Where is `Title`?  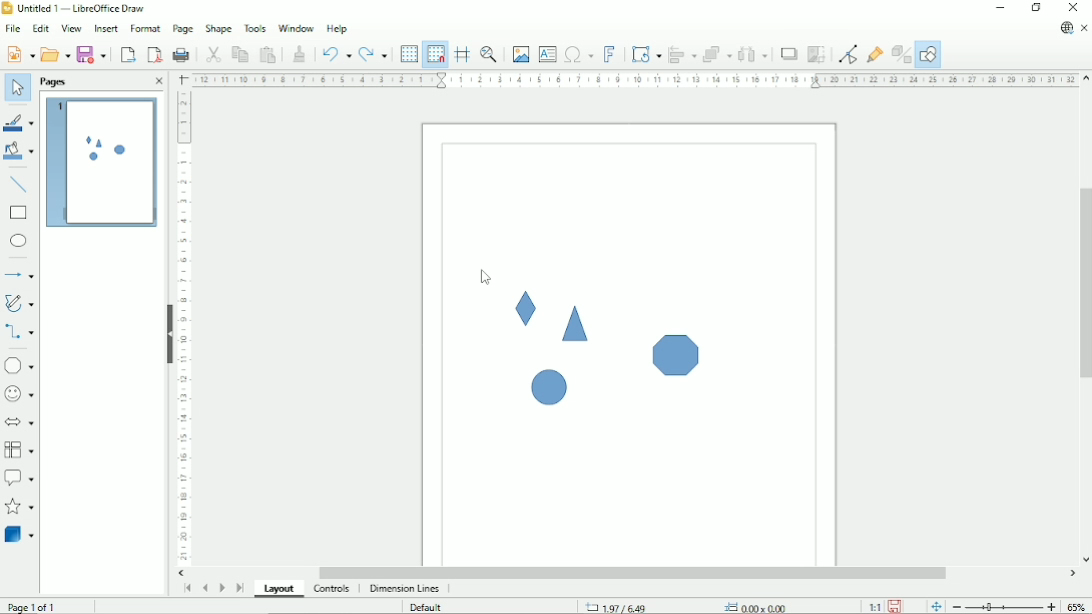
Title is located at coordinates (78, 9).